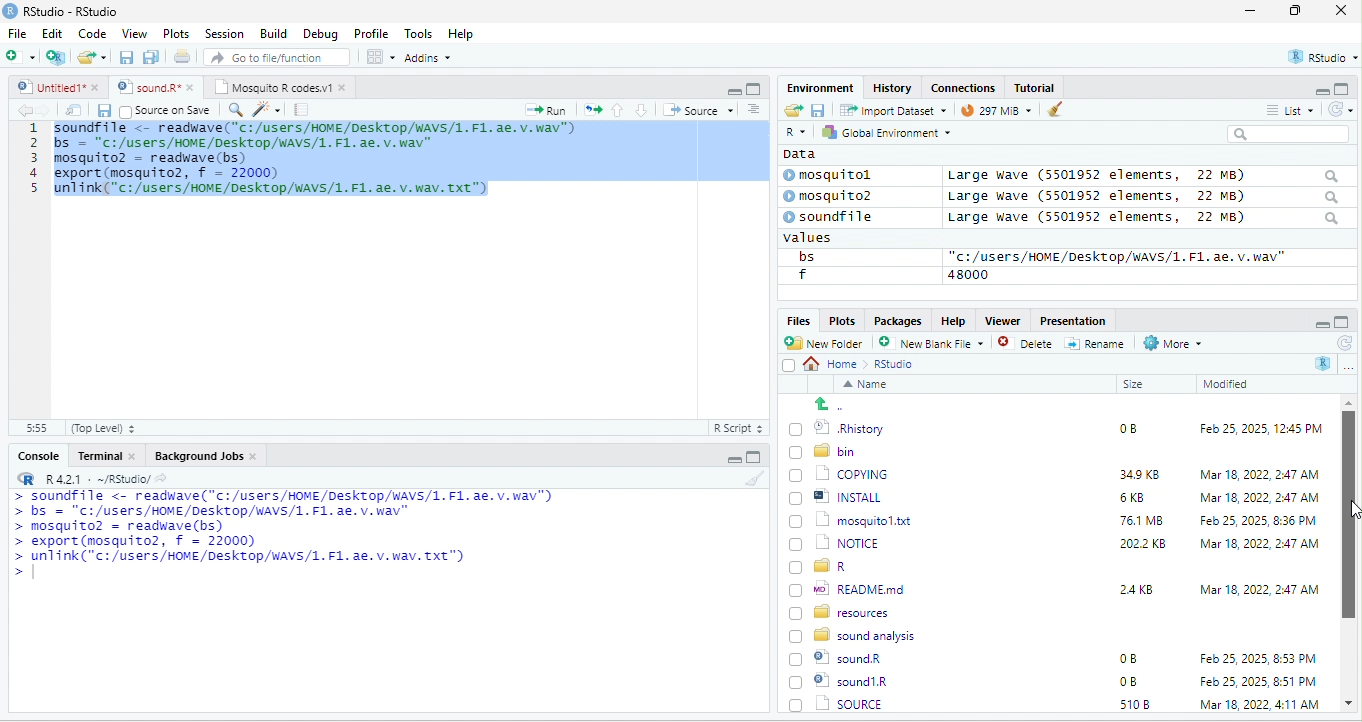 The height and width of the screenshot is (722, 1362). What do you see at coordinates (619, 109) in the screenshot?
I see `up` at bounding box center [619, 109].